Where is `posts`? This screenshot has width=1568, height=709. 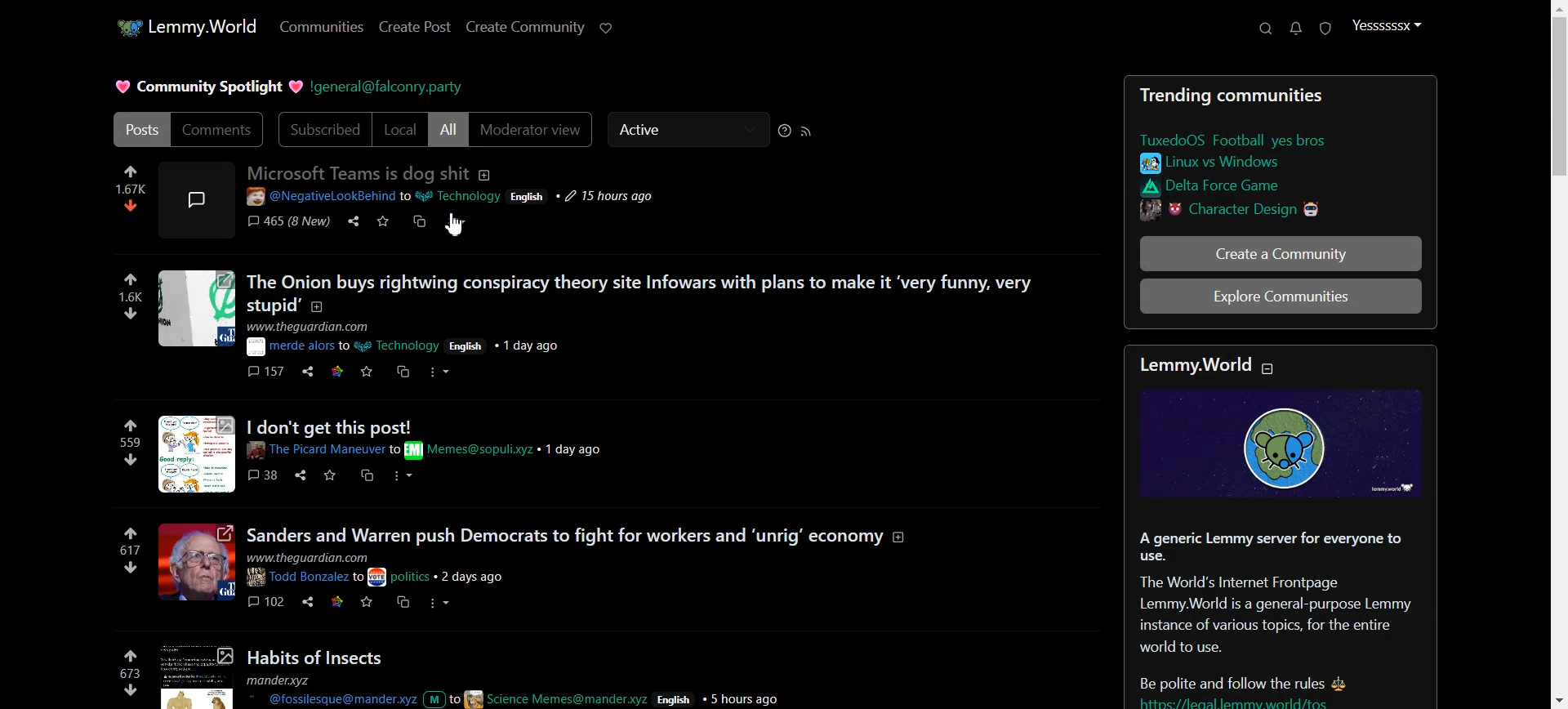 posts is located at coordinates (577, 555).